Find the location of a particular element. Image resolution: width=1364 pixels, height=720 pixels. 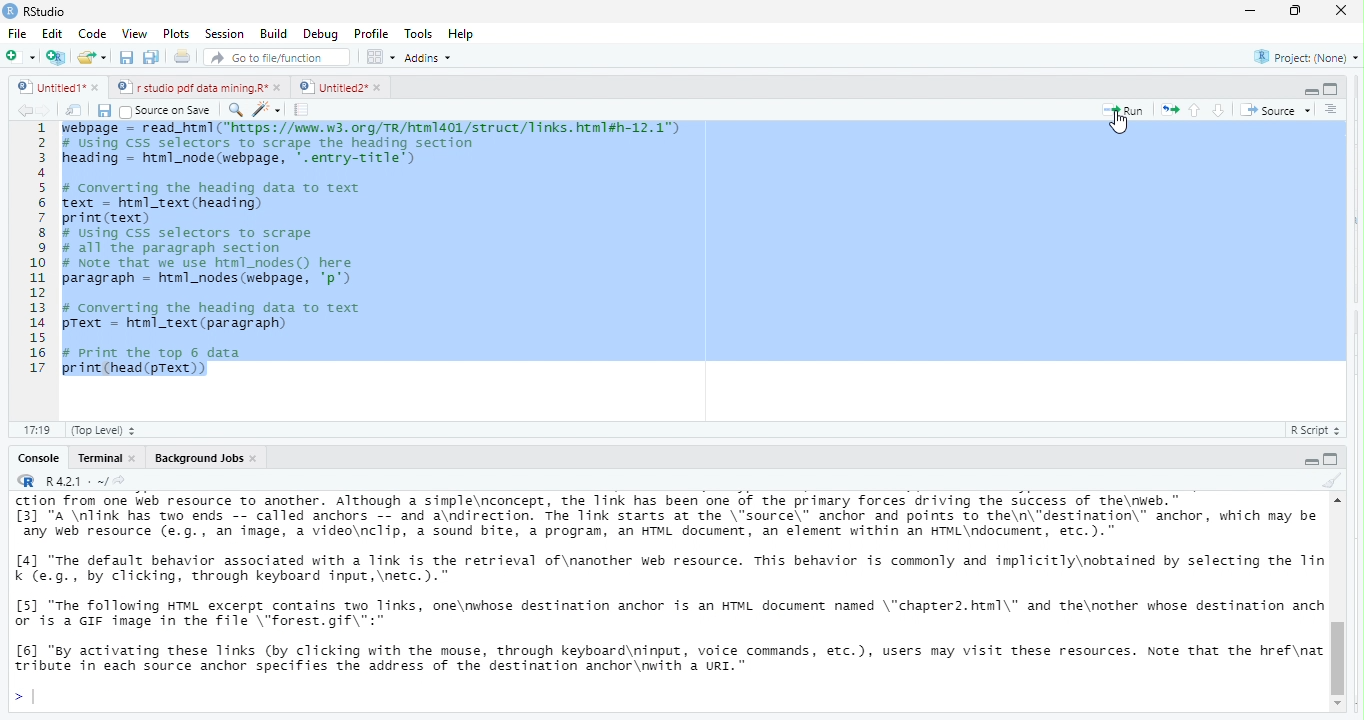

run is located at coordinates (1124, 111).